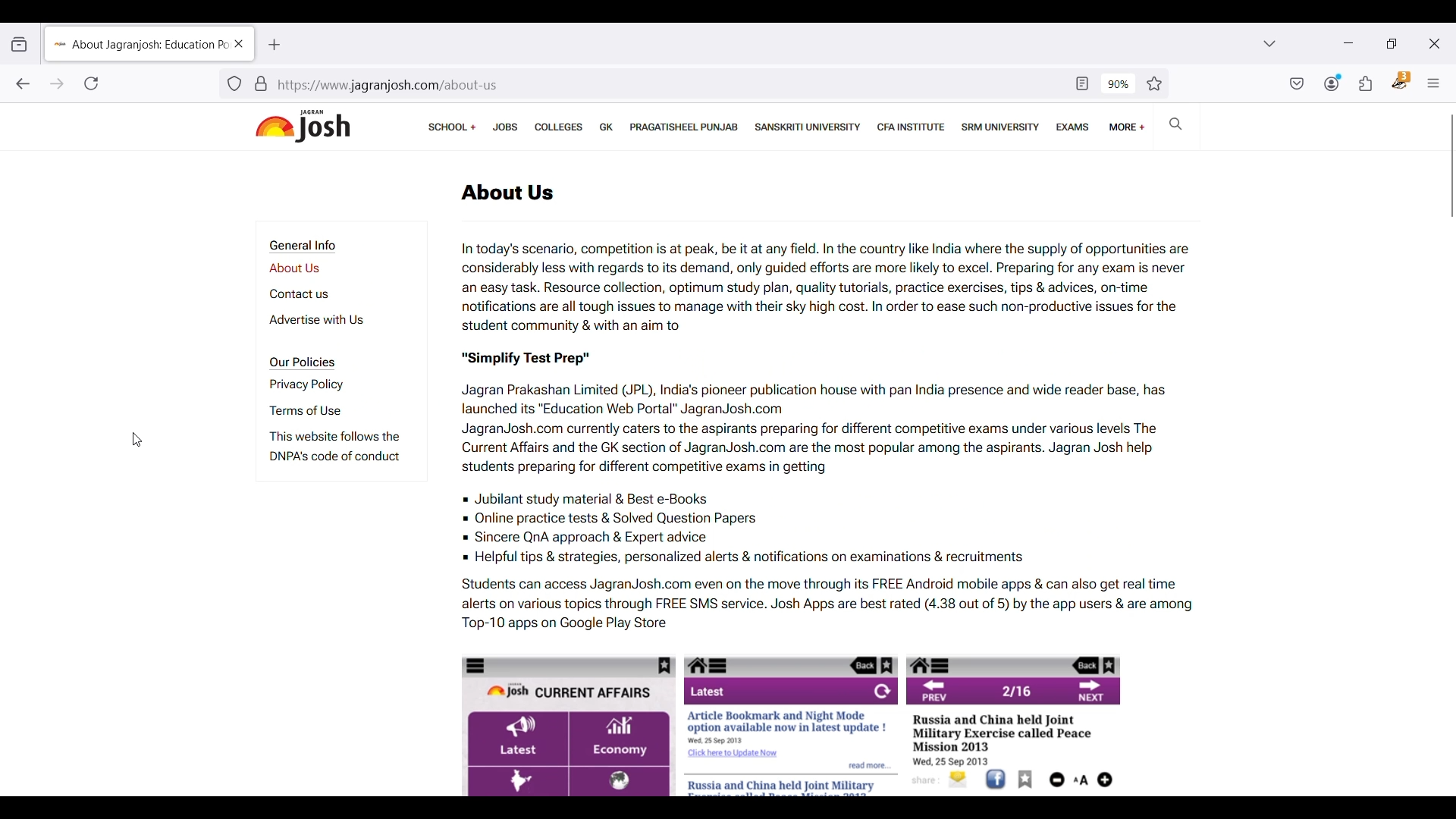  I want to click on about us, so click(507, 193).